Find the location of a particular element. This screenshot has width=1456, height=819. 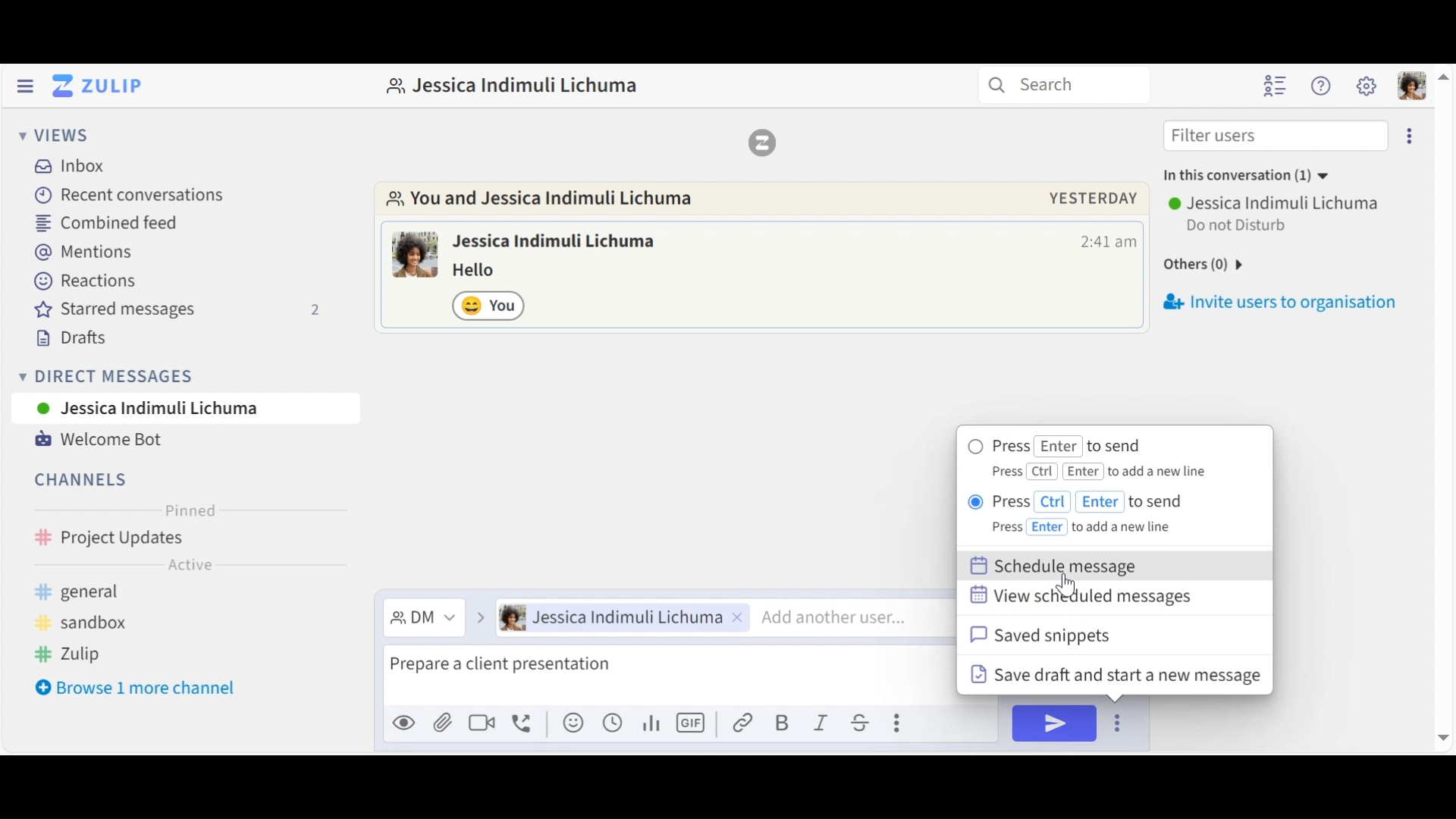

Direct Message is located at coordinates (422, 617).